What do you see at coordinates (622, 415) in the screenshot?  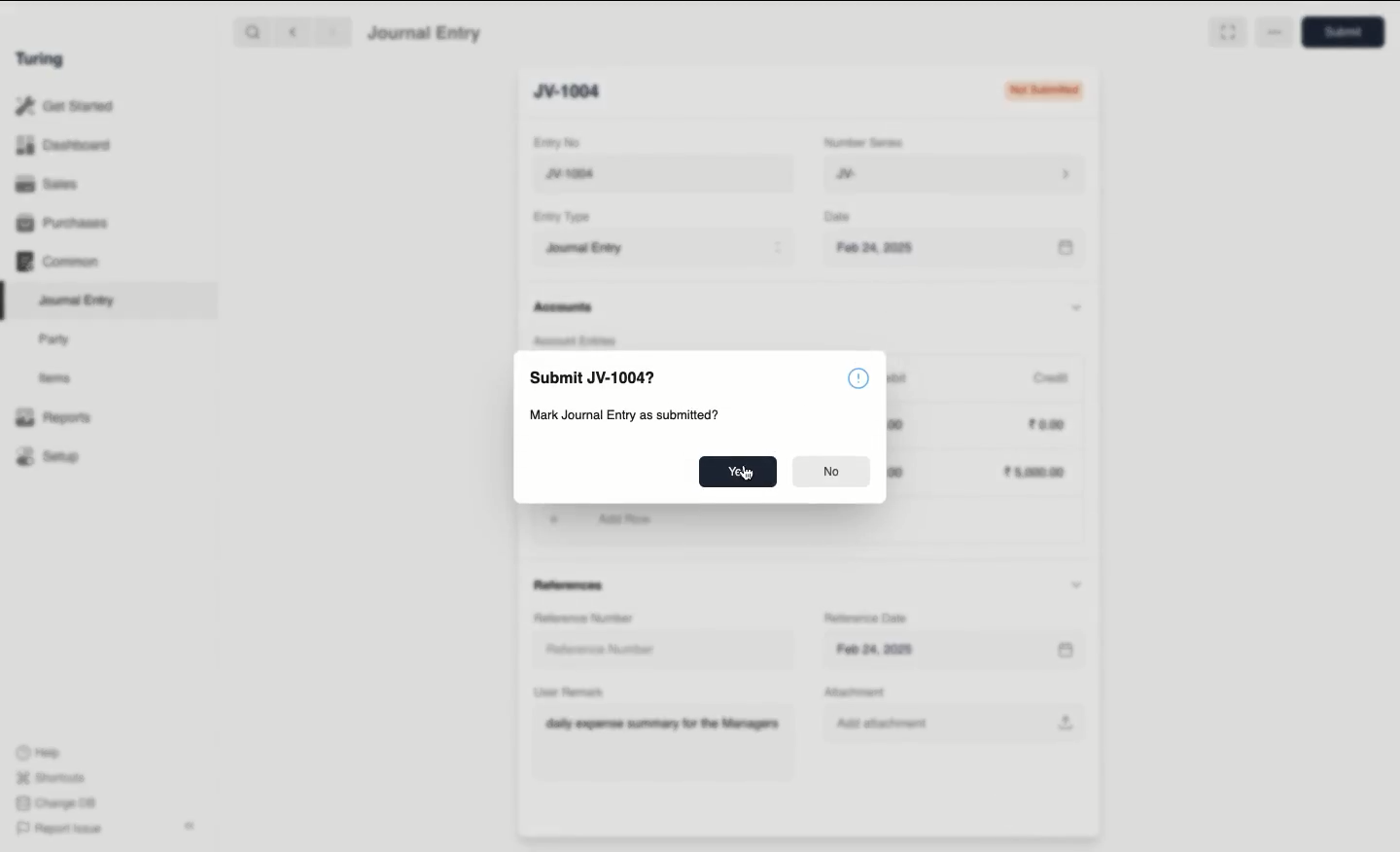 I see `Mark Journal Entry as submitted?` at bounding box center [622, 415].